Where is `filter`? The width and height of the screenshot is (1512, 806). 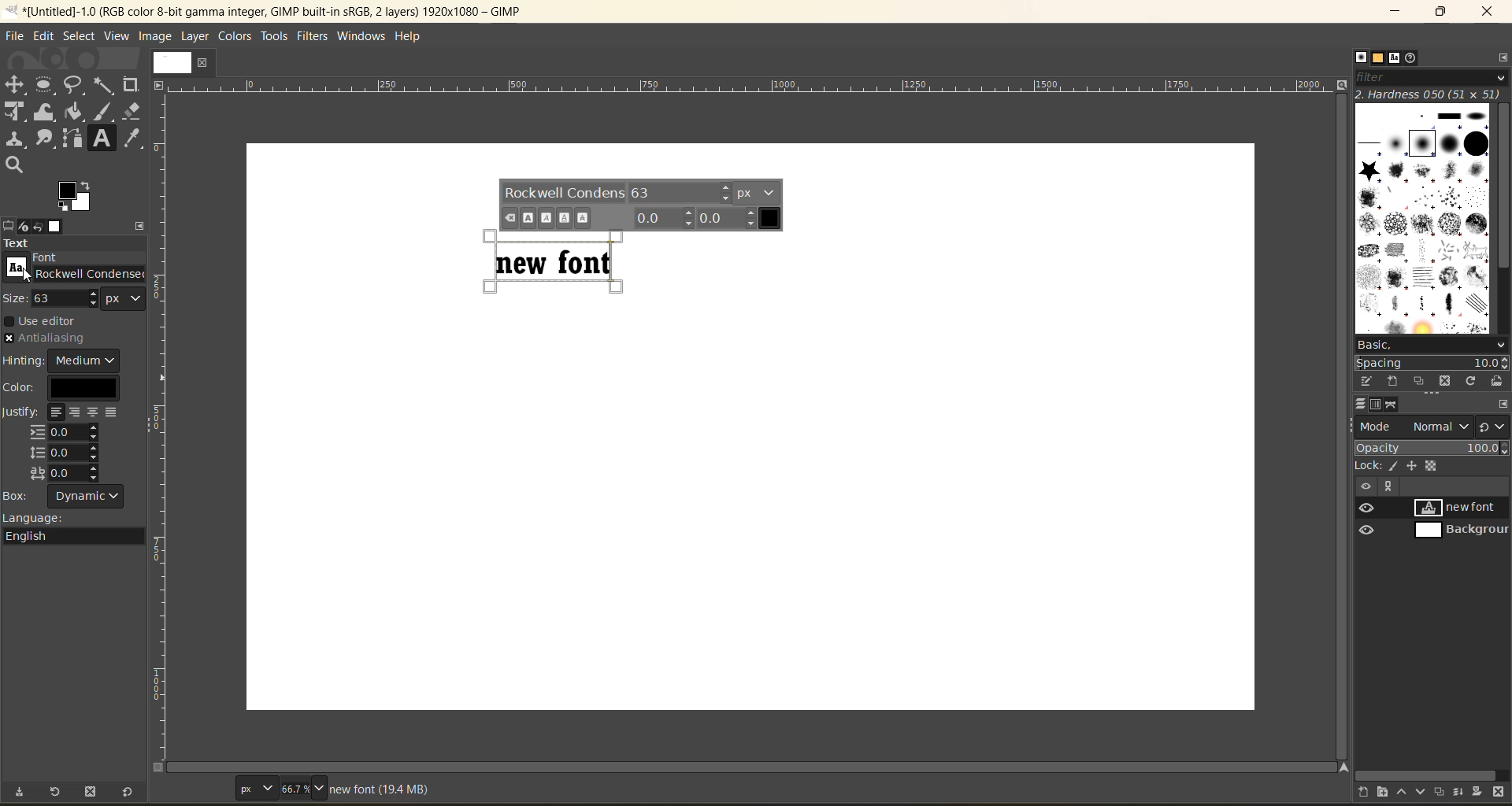
filter is located at coordinates (1433, 76).